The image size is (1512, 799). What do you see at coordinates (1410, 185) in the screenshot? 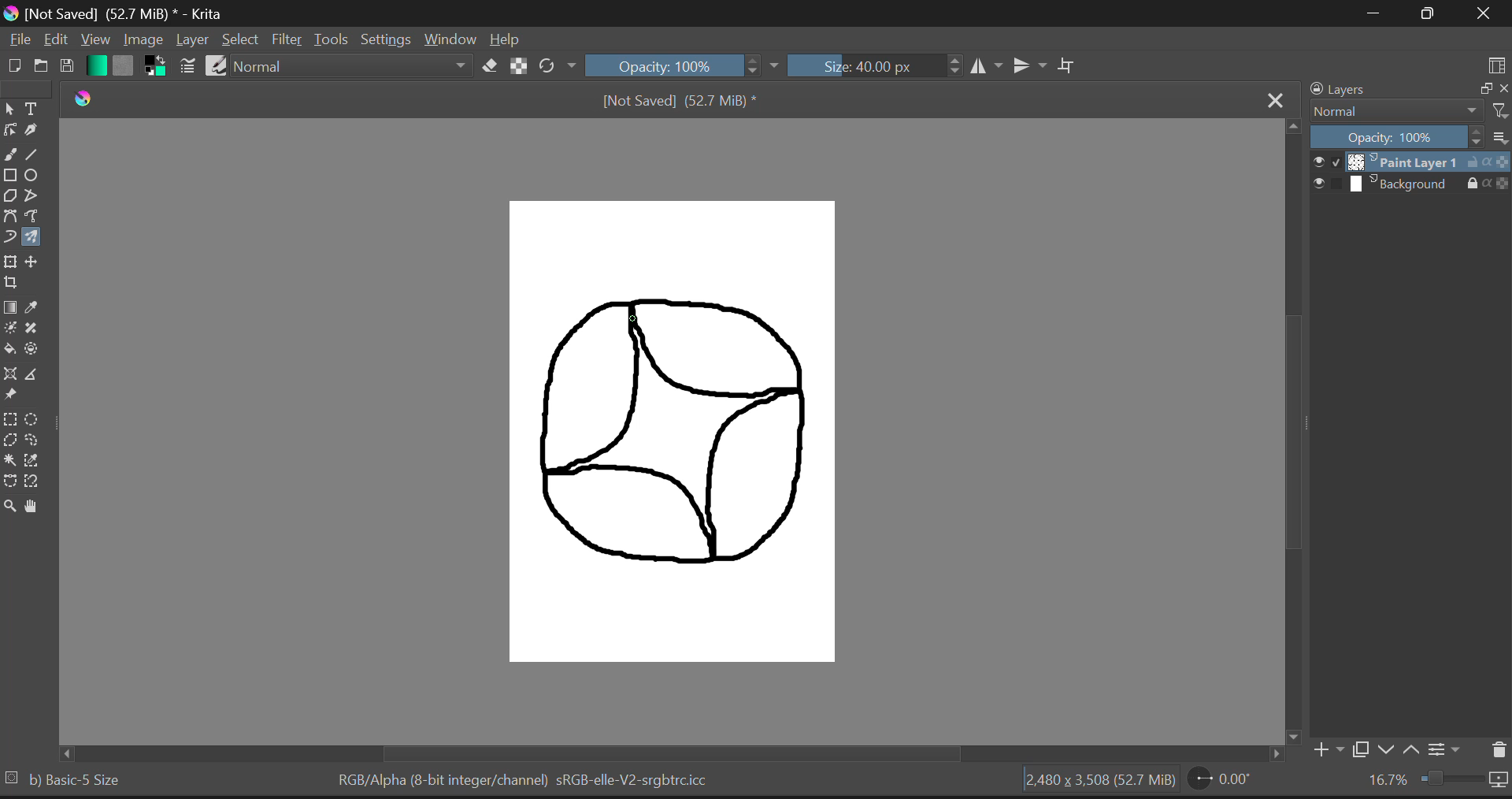
I see `Background` at bounding box center [1410, 185].